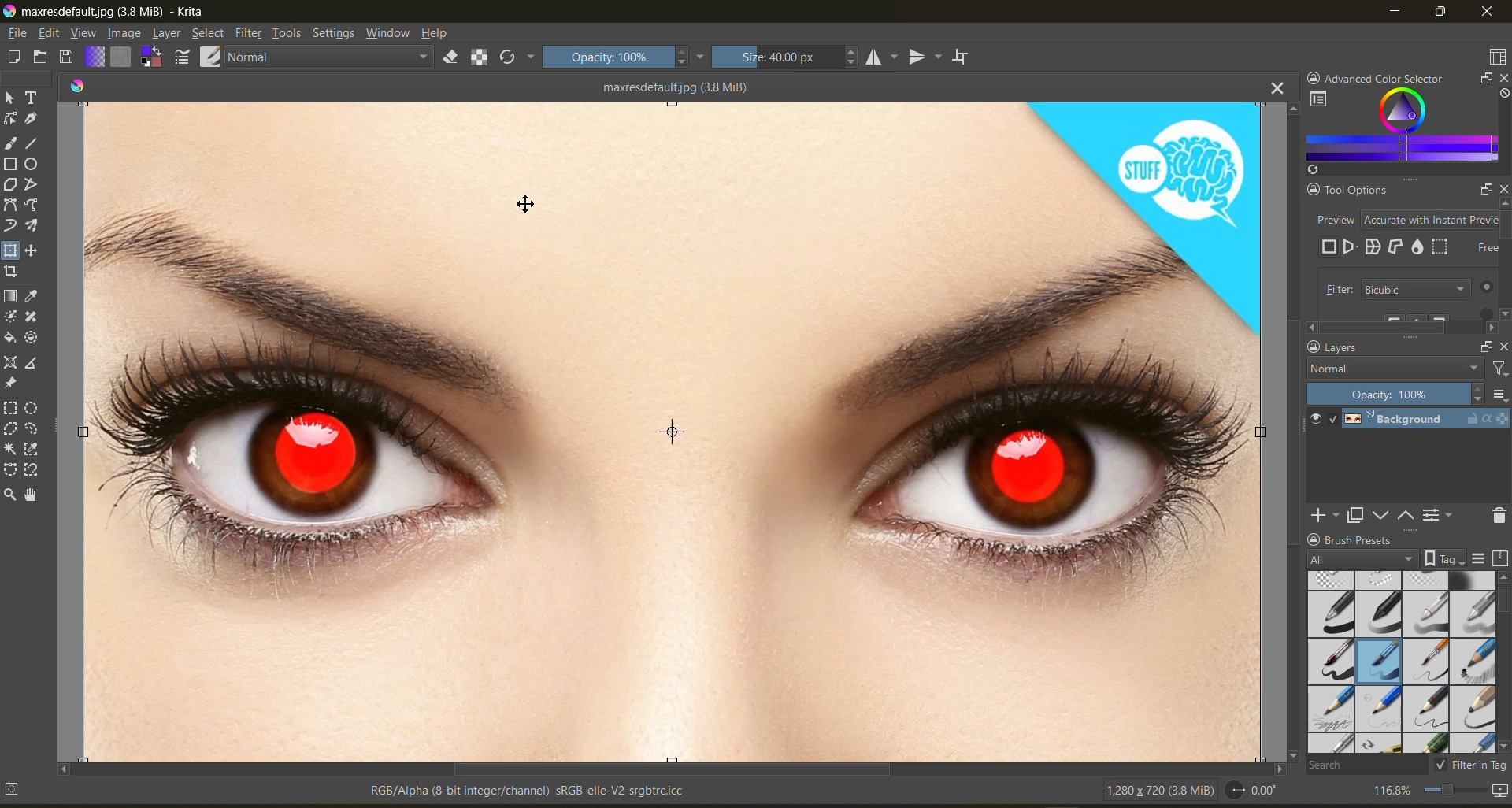 The width and height of the screenshot is (1512, 808). Describe the element at coordinates (1501, 77) in the screenshot. I see `close docker` at that location.